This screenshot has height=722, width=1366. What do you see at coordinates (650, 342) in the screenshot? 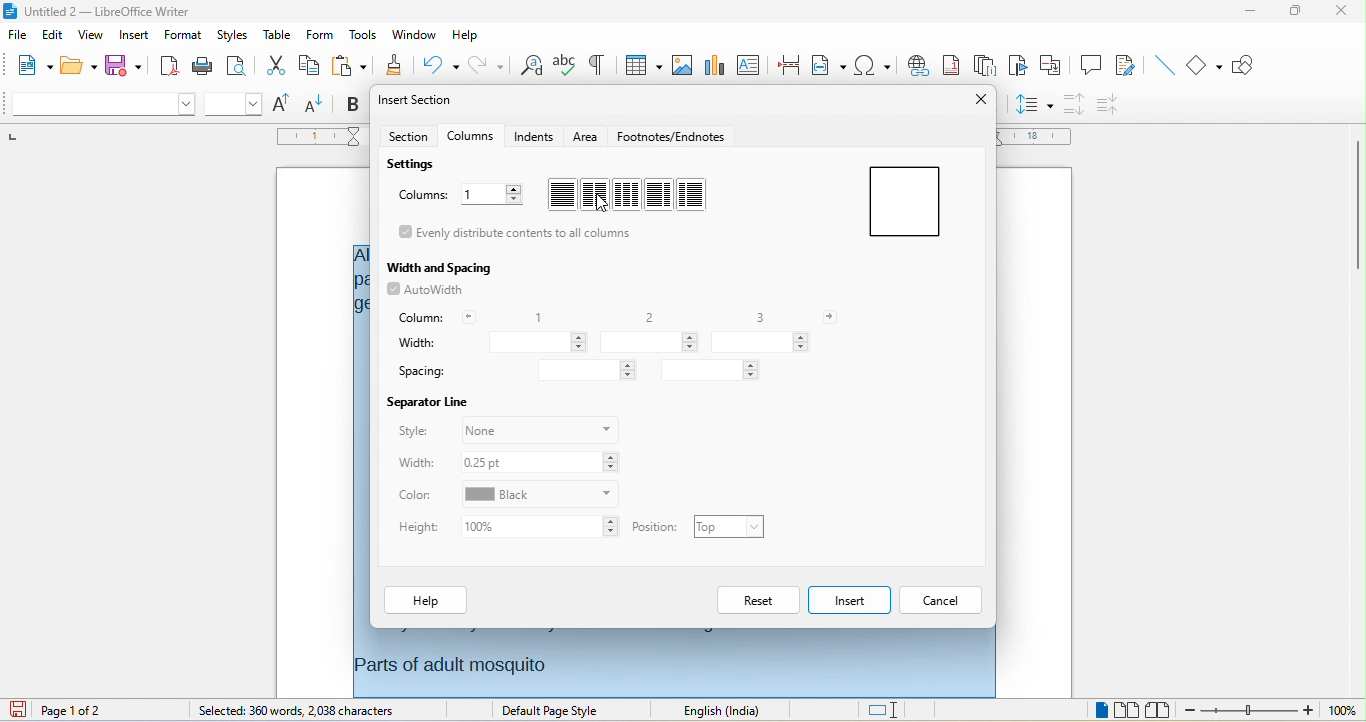
I see `column 2 width` at bounding box center [650, 342].